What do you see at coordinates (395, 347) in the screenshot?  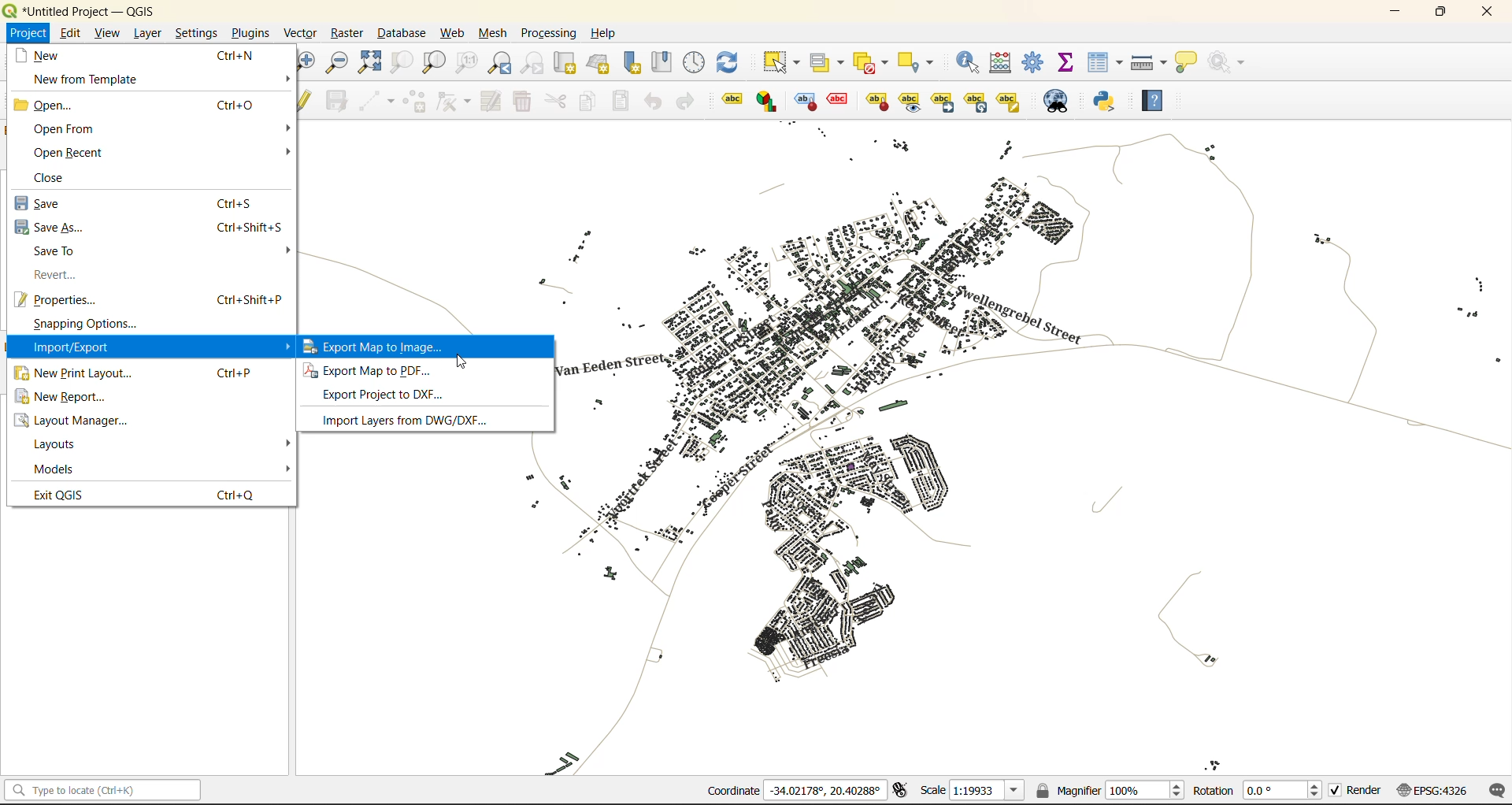 I see `export map to image` at bounding box center [395, 347].